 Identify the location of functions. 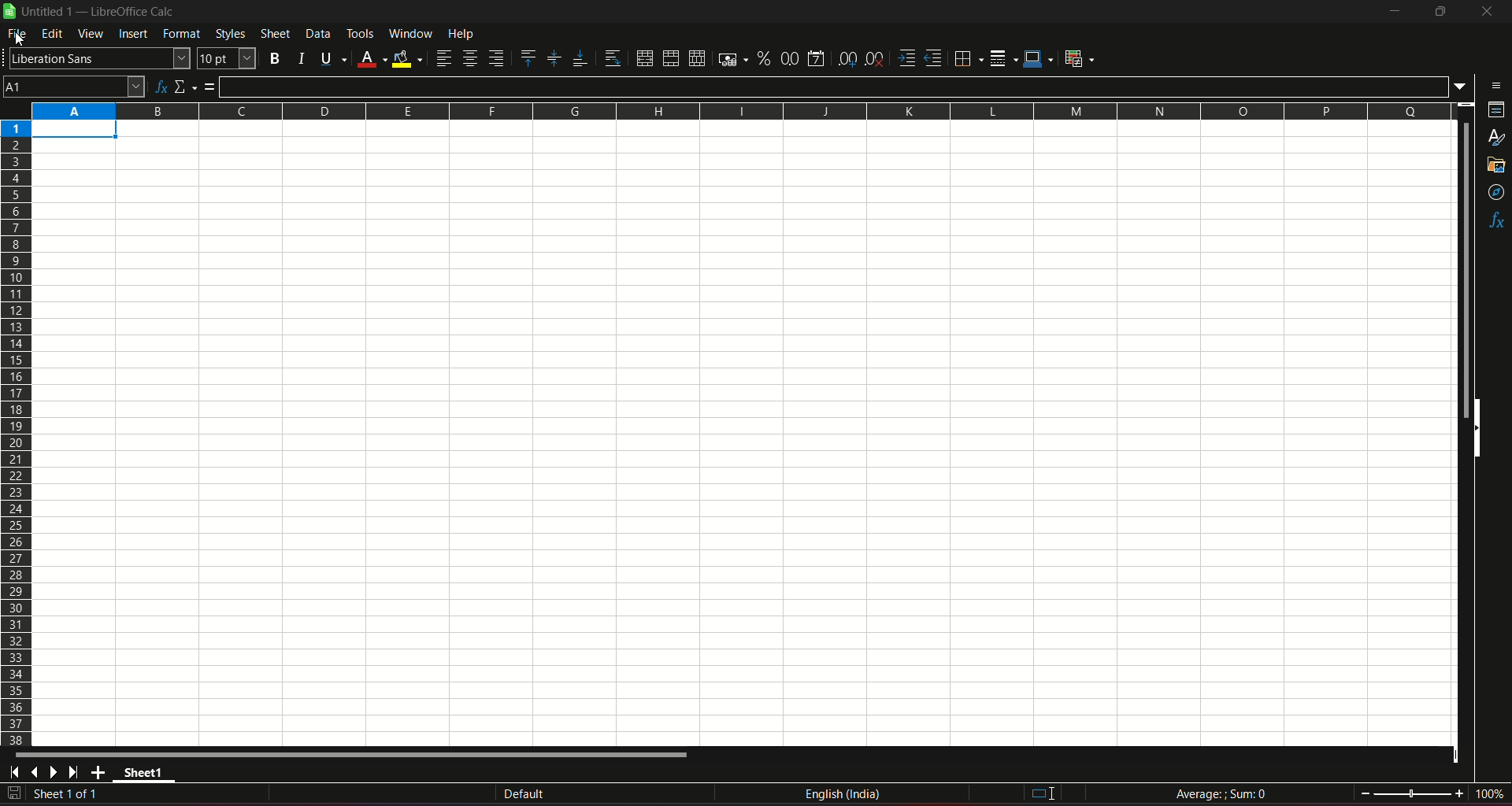
(1495, 221).